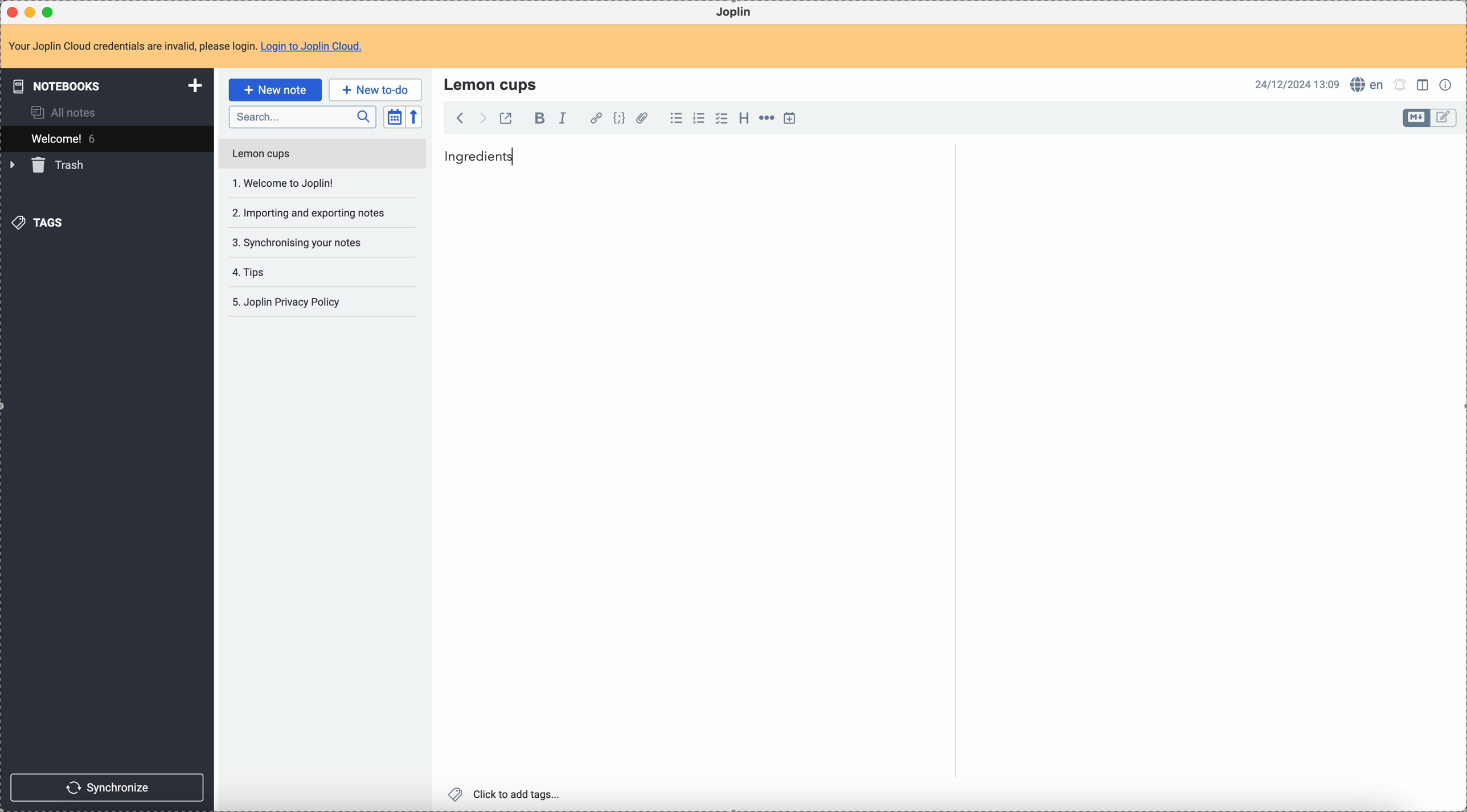 The height and width of the screenshot is (812, 1467). Describe the element at coordinates (594, 119) in the screenshot. I see `hyperlink` at that location.